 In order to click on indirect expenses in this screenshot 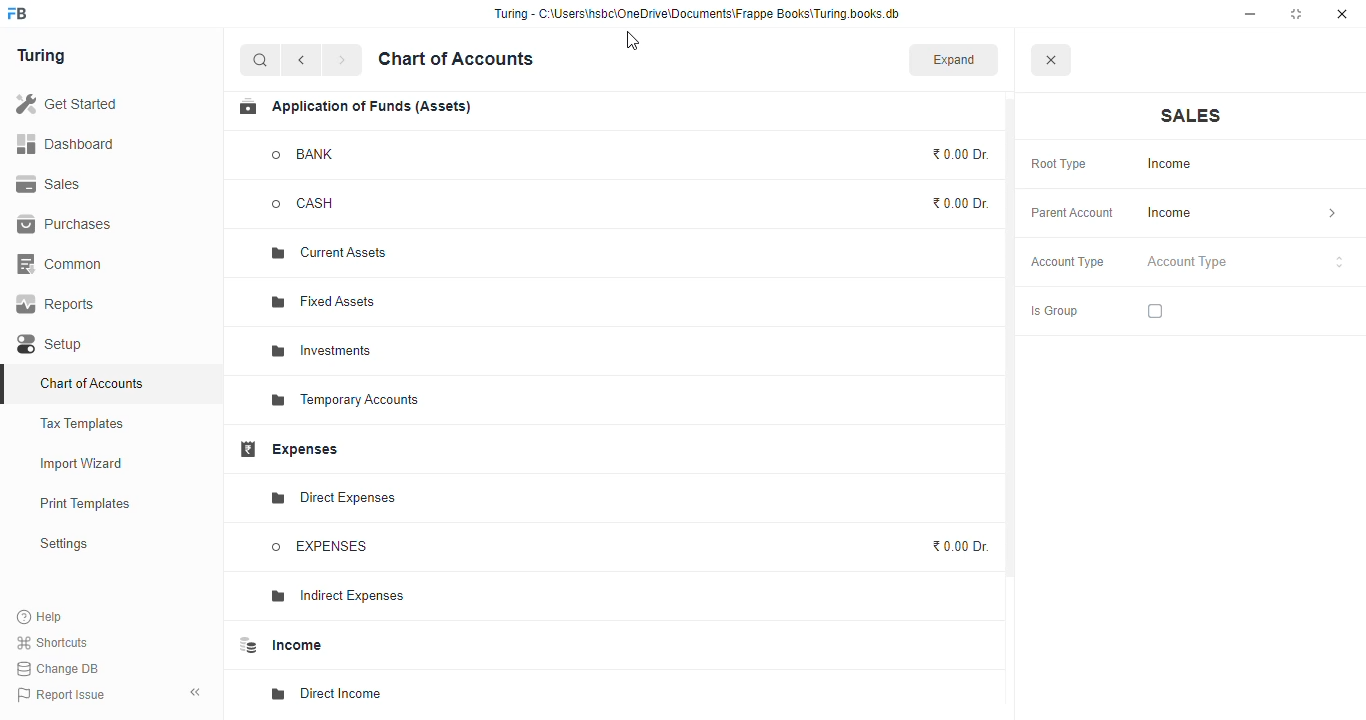, I will do `click(334, 596)`.